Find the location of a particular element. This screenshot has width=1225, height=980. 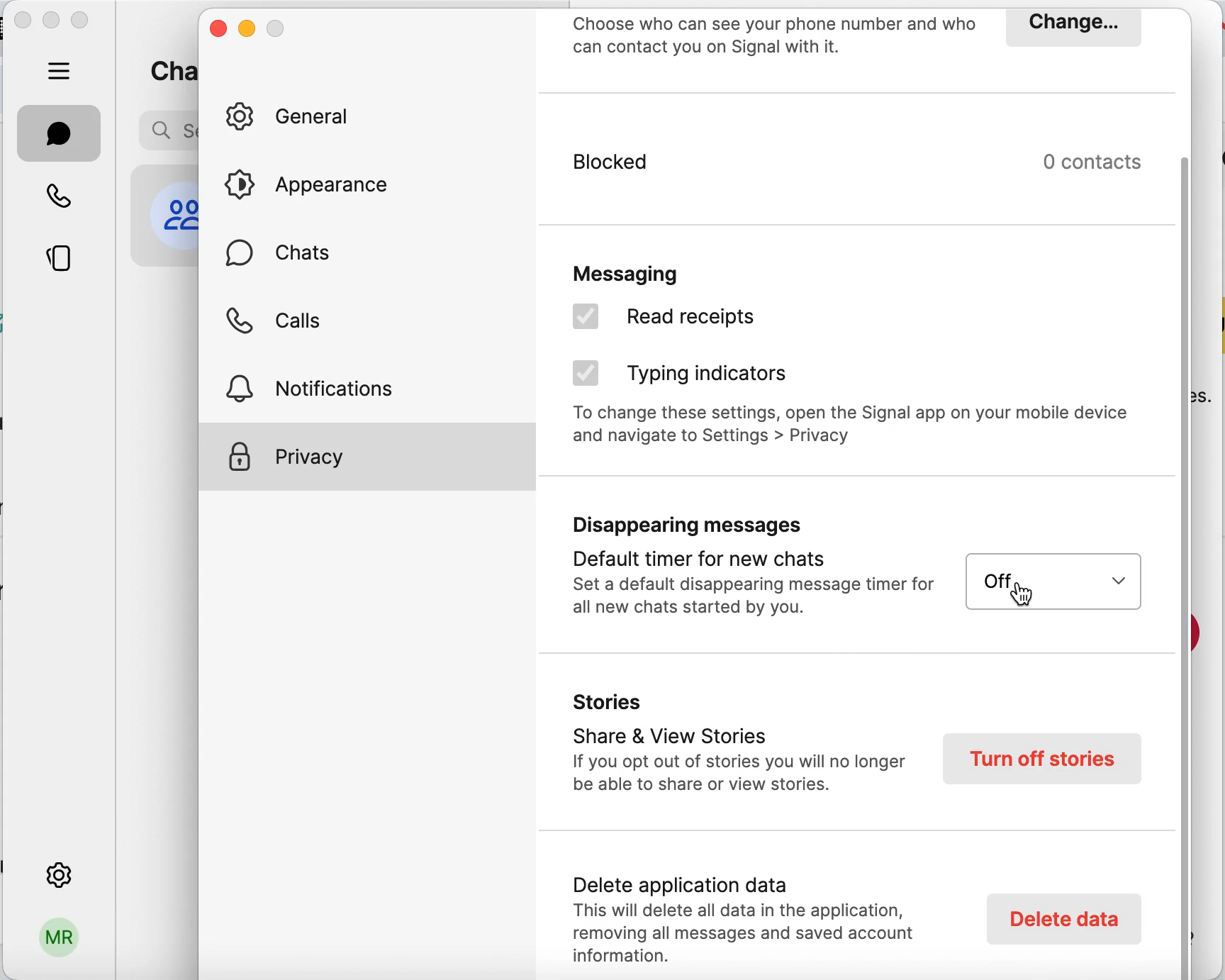

chats is located at coordinates (285, 260).